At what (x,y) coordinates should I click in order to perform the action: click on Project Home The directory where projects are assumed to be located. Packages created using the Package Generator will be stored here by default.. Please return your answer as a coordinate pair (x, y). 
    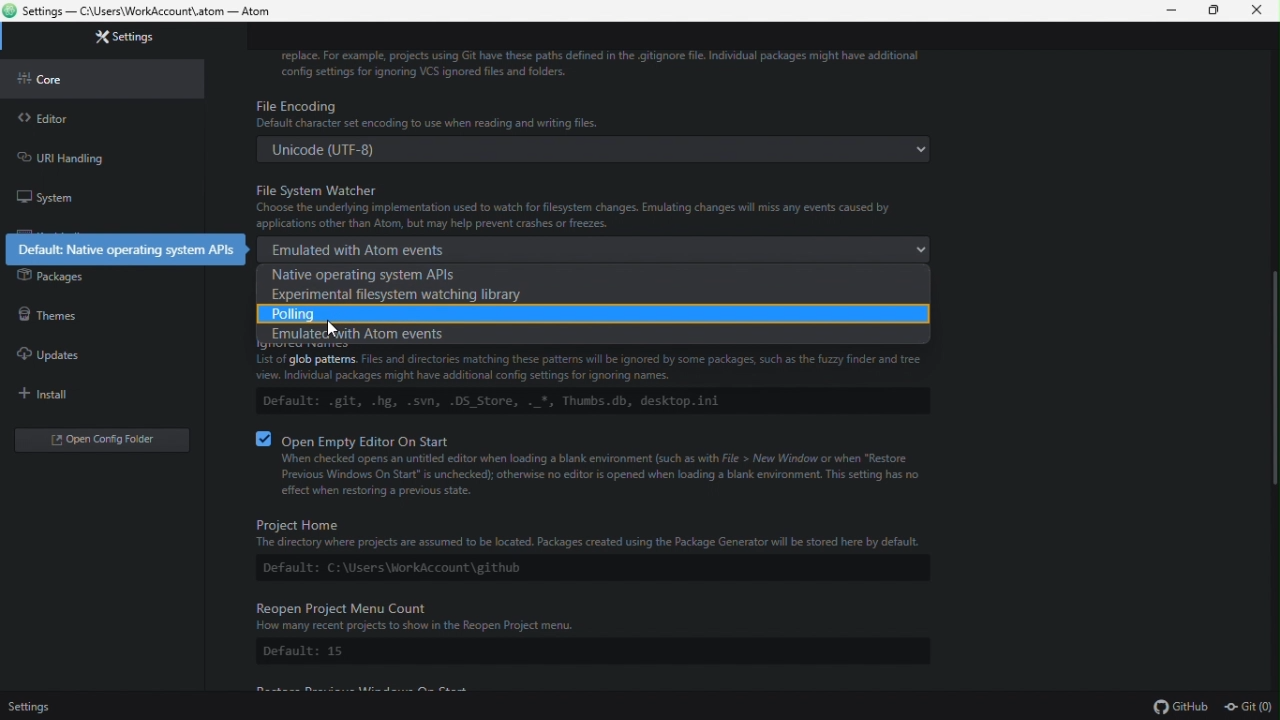
    Looking at the image, I should click on (586, 532).